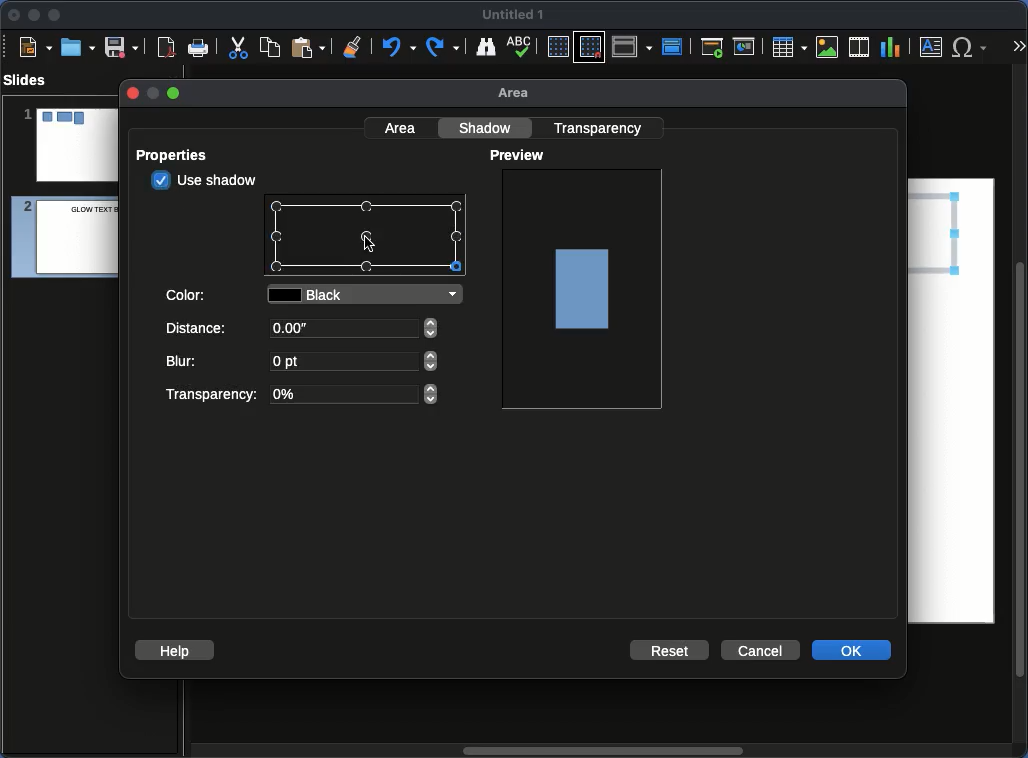 The image size is (1028, 758). What do you see at coordinates (671, 649) in the screenshot?
I see `Reset` at bounding box center [671, 649].